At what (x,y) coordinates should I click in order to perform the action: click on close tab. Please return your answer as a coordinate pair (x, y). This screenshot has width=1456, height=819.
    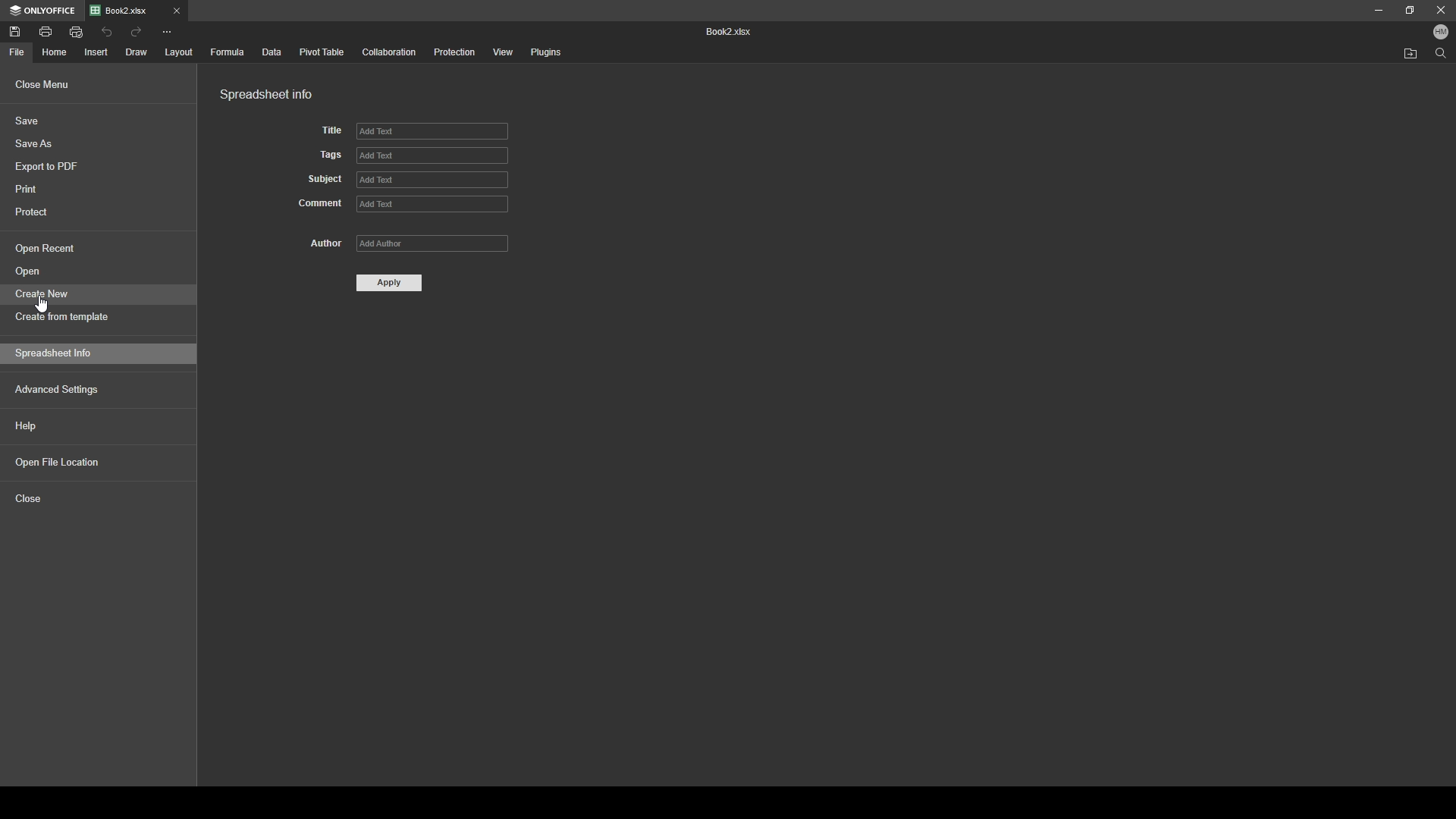
    Looking at the image, I should click on (176, 11).